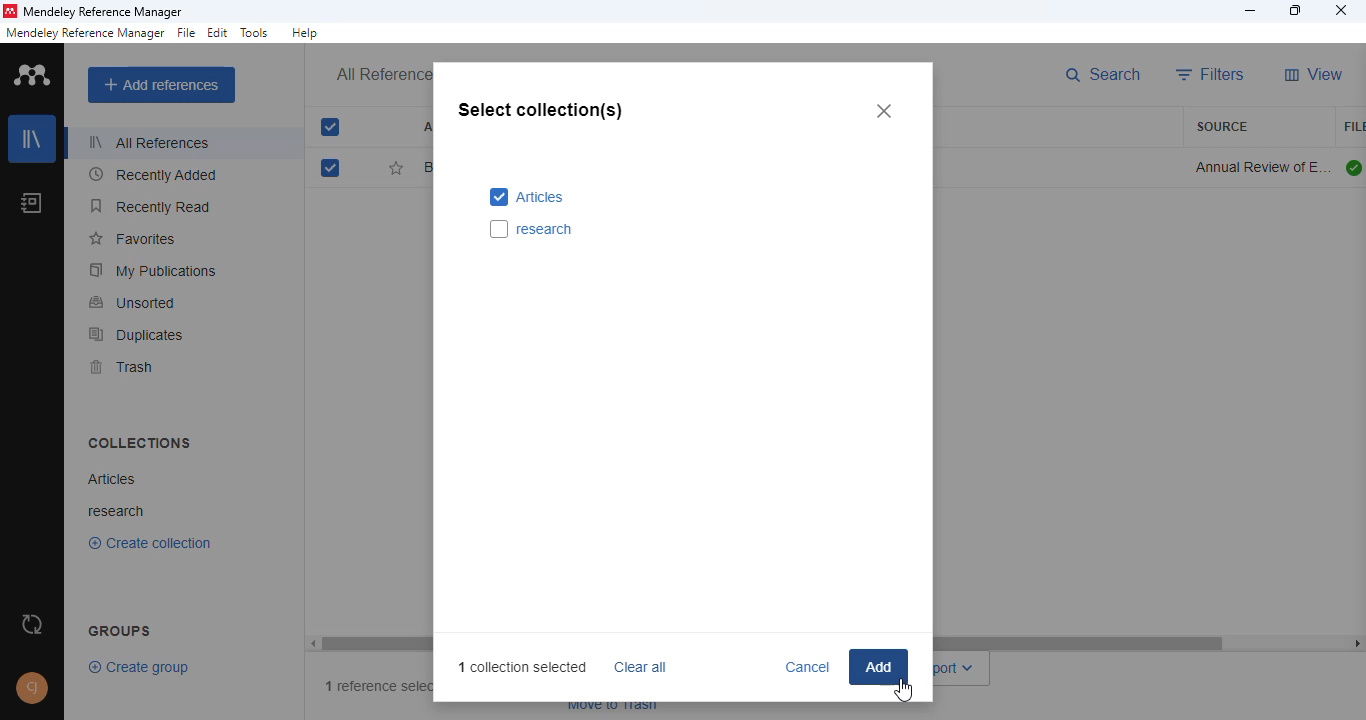 This screenshot has width=1366, height=720. What do you see at coordinates (31, 139) in the screenshot?
I see `library` at bounding box center [31, 139].